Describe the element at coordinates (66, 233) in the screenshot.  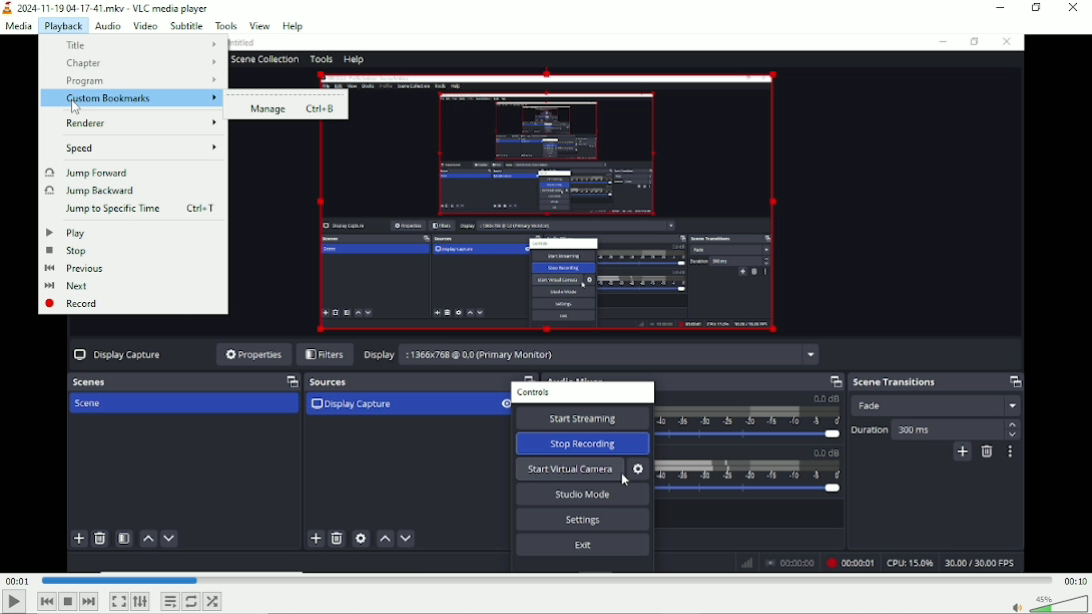
I see `Play` at that location.